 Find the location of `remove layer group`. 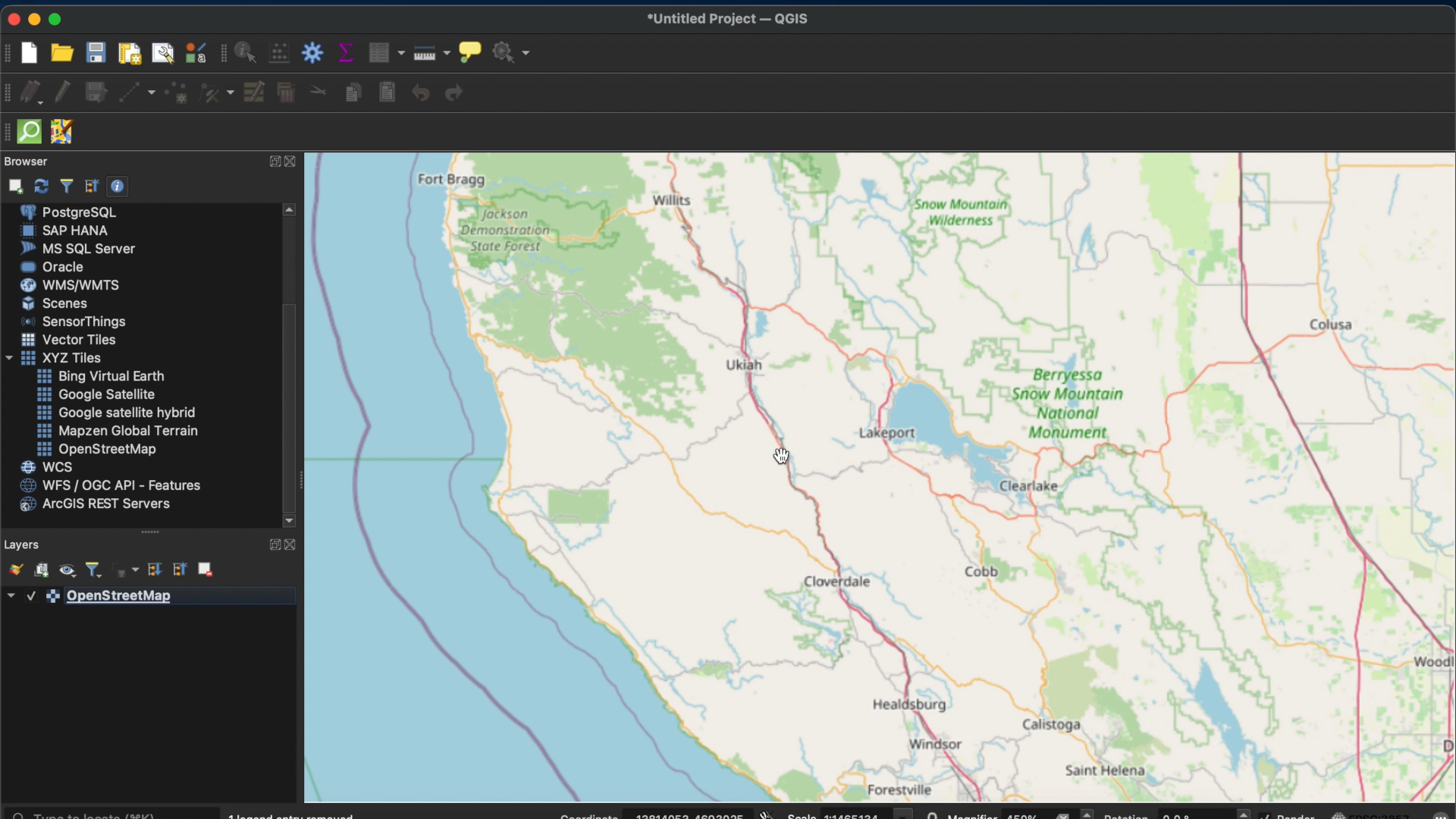

remove layer group is located at coordinates (206, 568).